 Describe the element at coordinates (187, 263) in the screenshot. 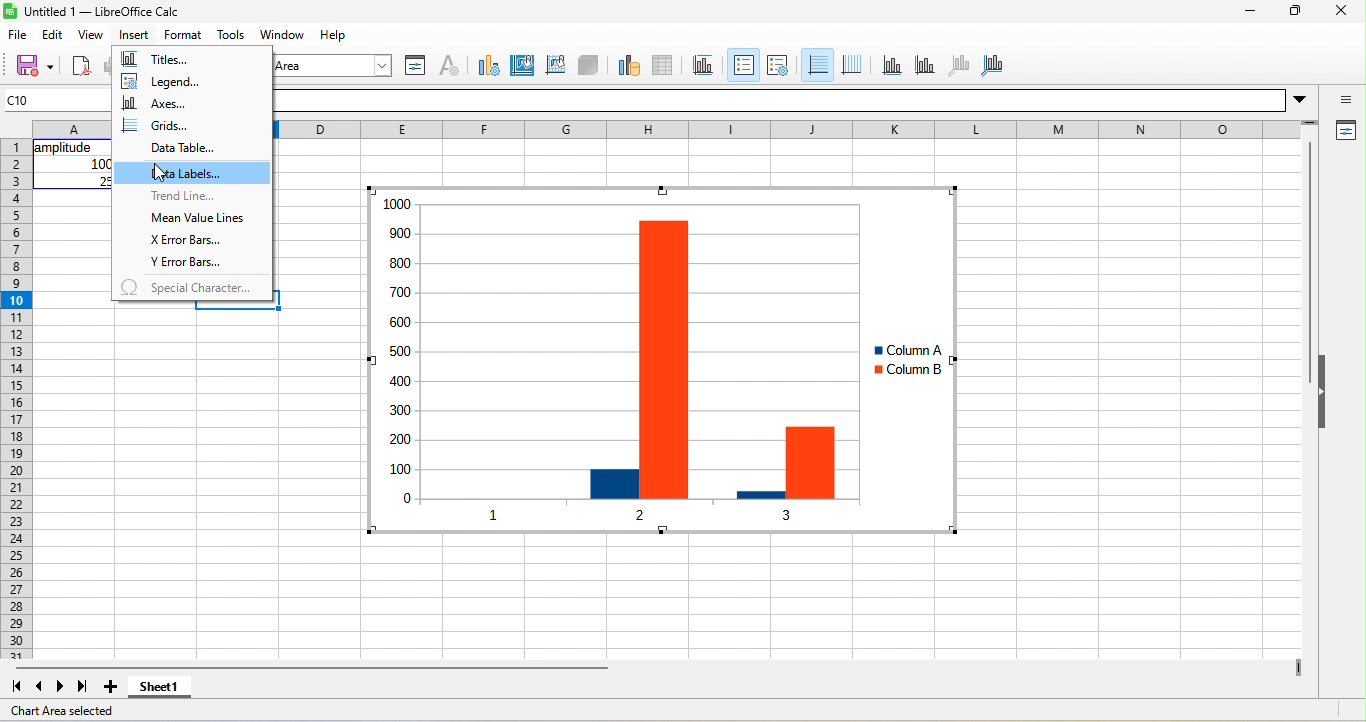

I see `y error bars` at that location.